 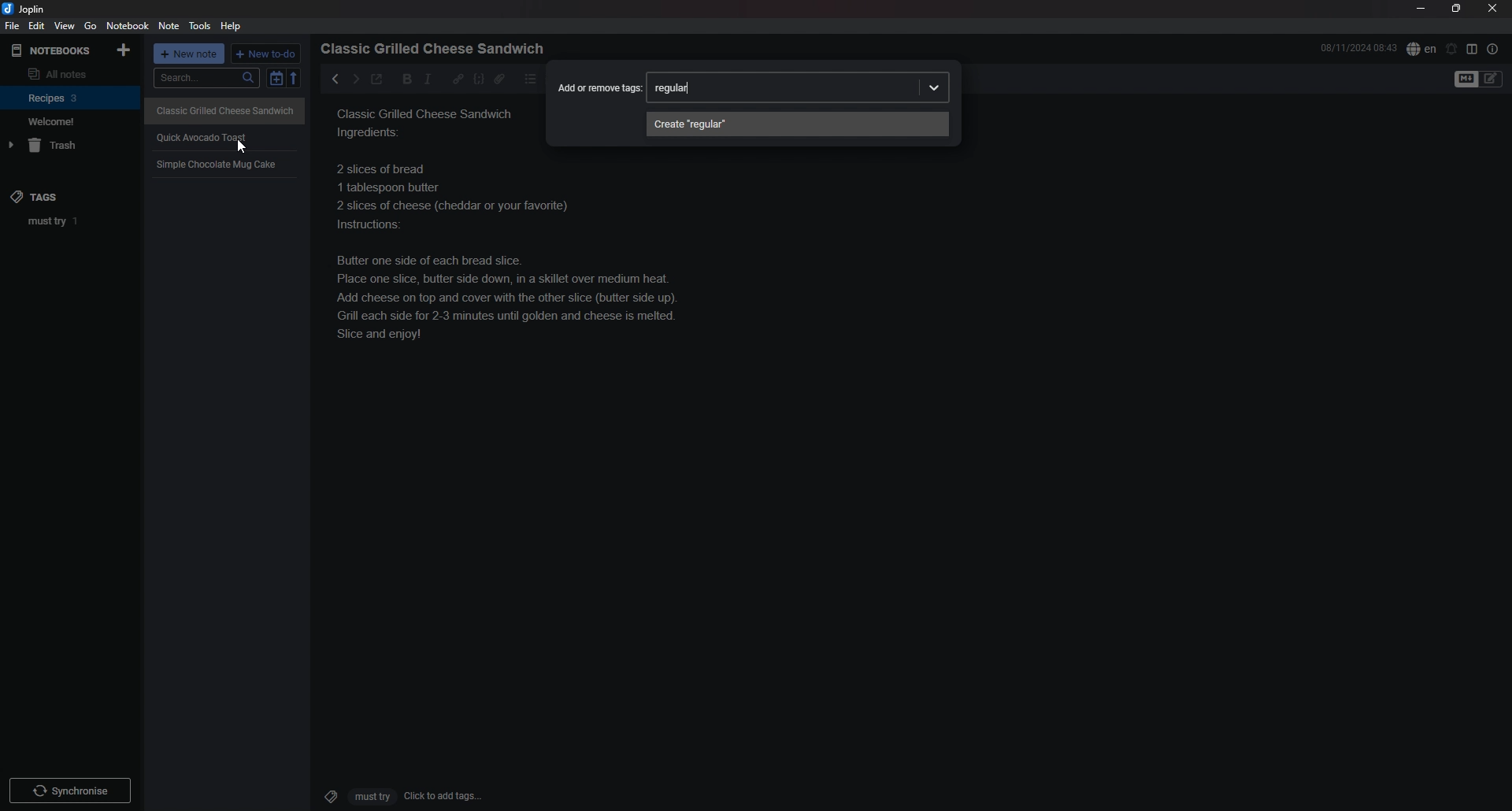 What do you see at coordinates (1456, 9) in the screenshot?
I see `resize` at bounding box center [1456, 9].